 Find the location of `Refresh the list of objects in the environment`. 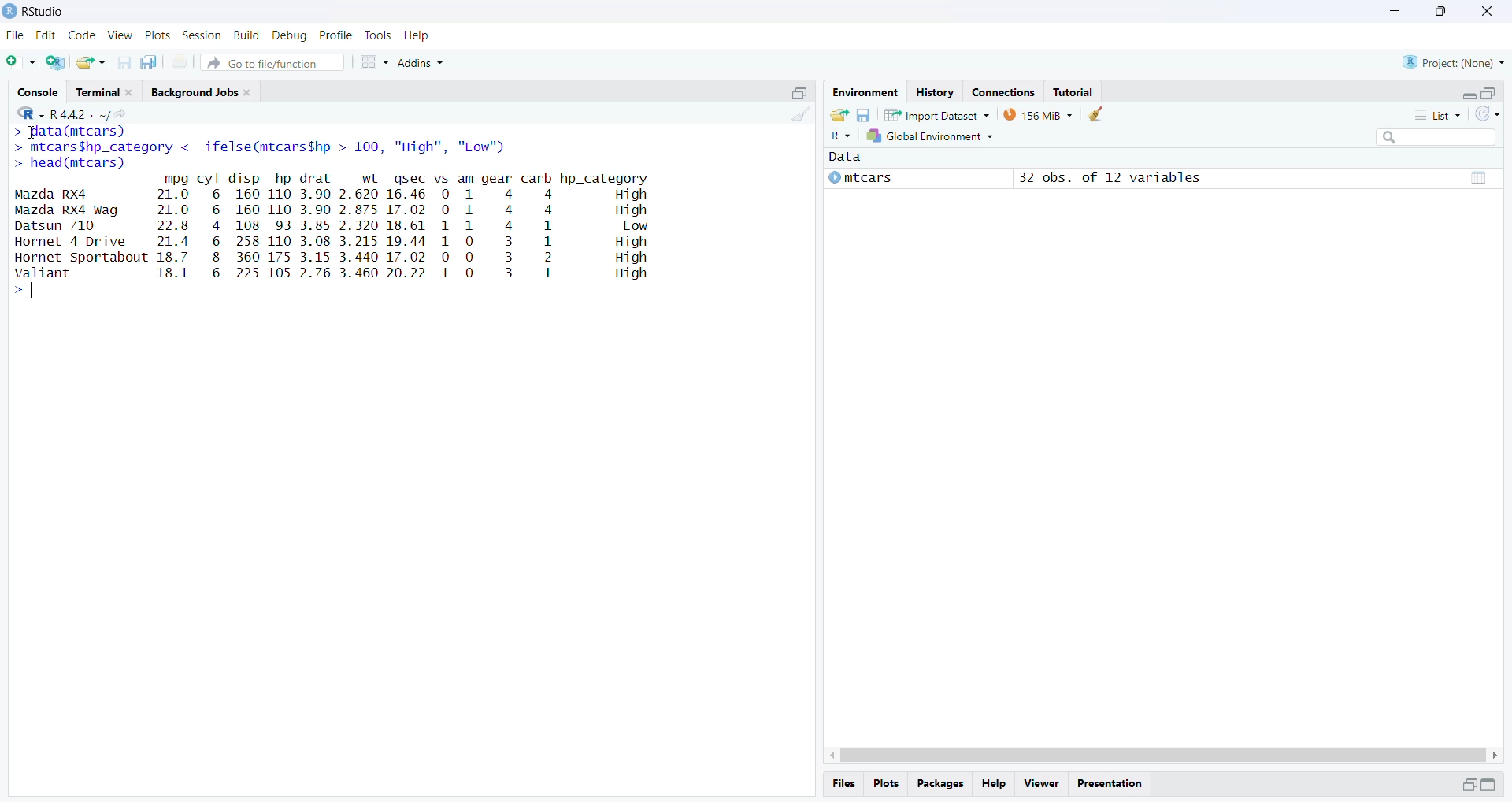

Refresh the list of objects in the environment is located at coordinates (1488, 115).